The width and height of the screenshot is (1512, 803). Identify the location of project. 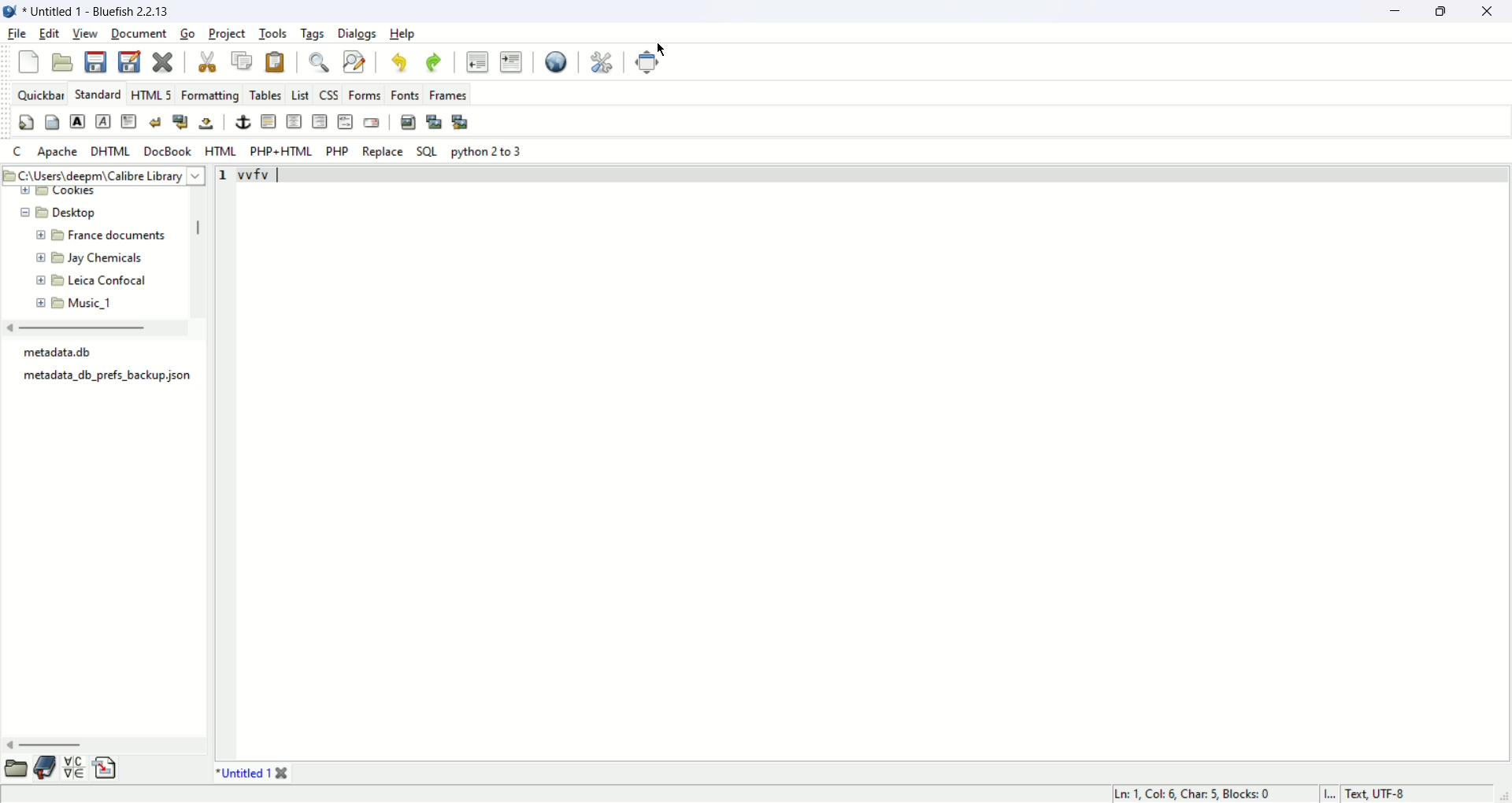
(227, 35).